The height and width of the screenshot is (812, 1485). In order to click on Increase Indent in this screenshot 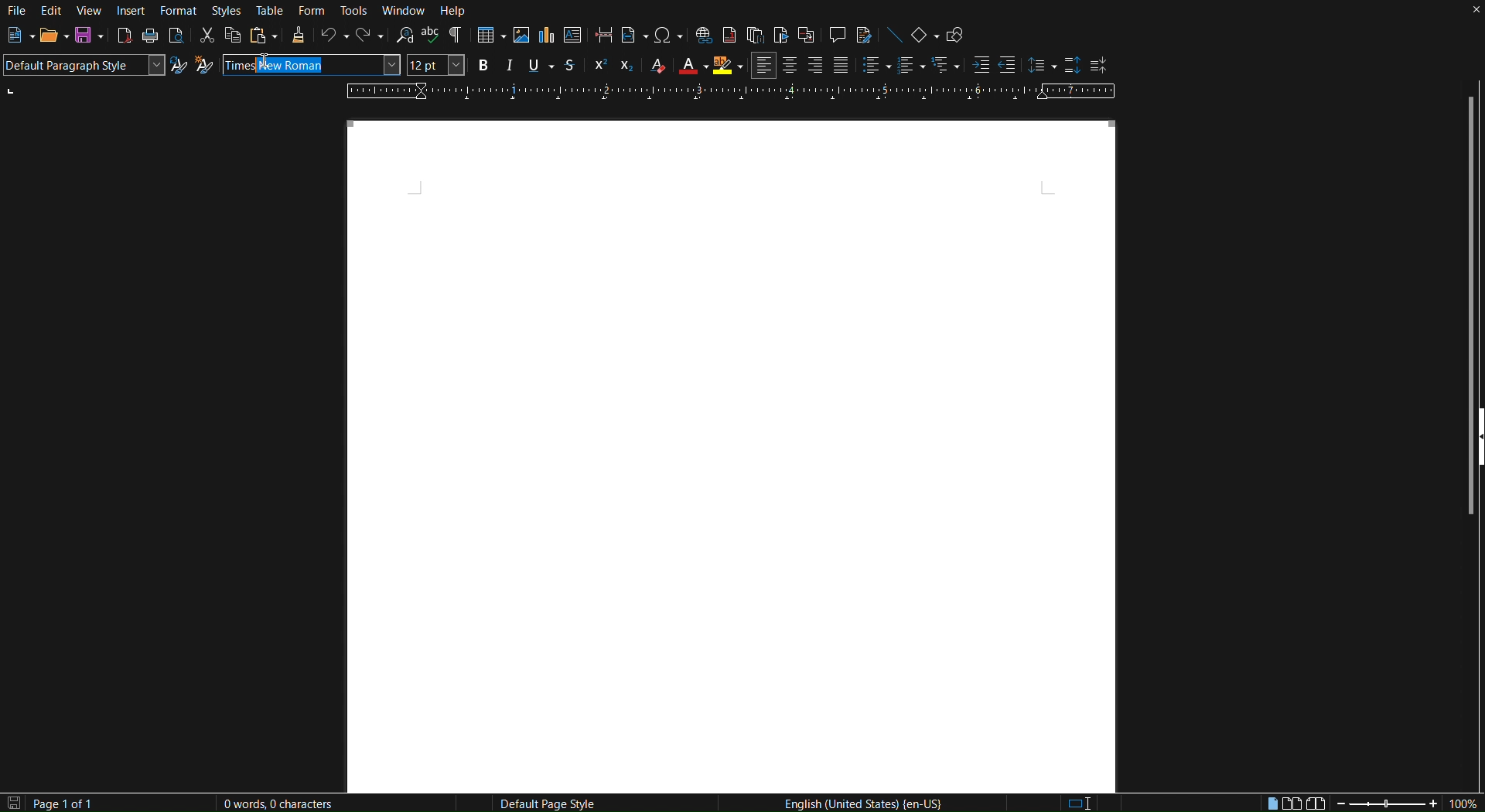, I will do `click(980, 67)`.